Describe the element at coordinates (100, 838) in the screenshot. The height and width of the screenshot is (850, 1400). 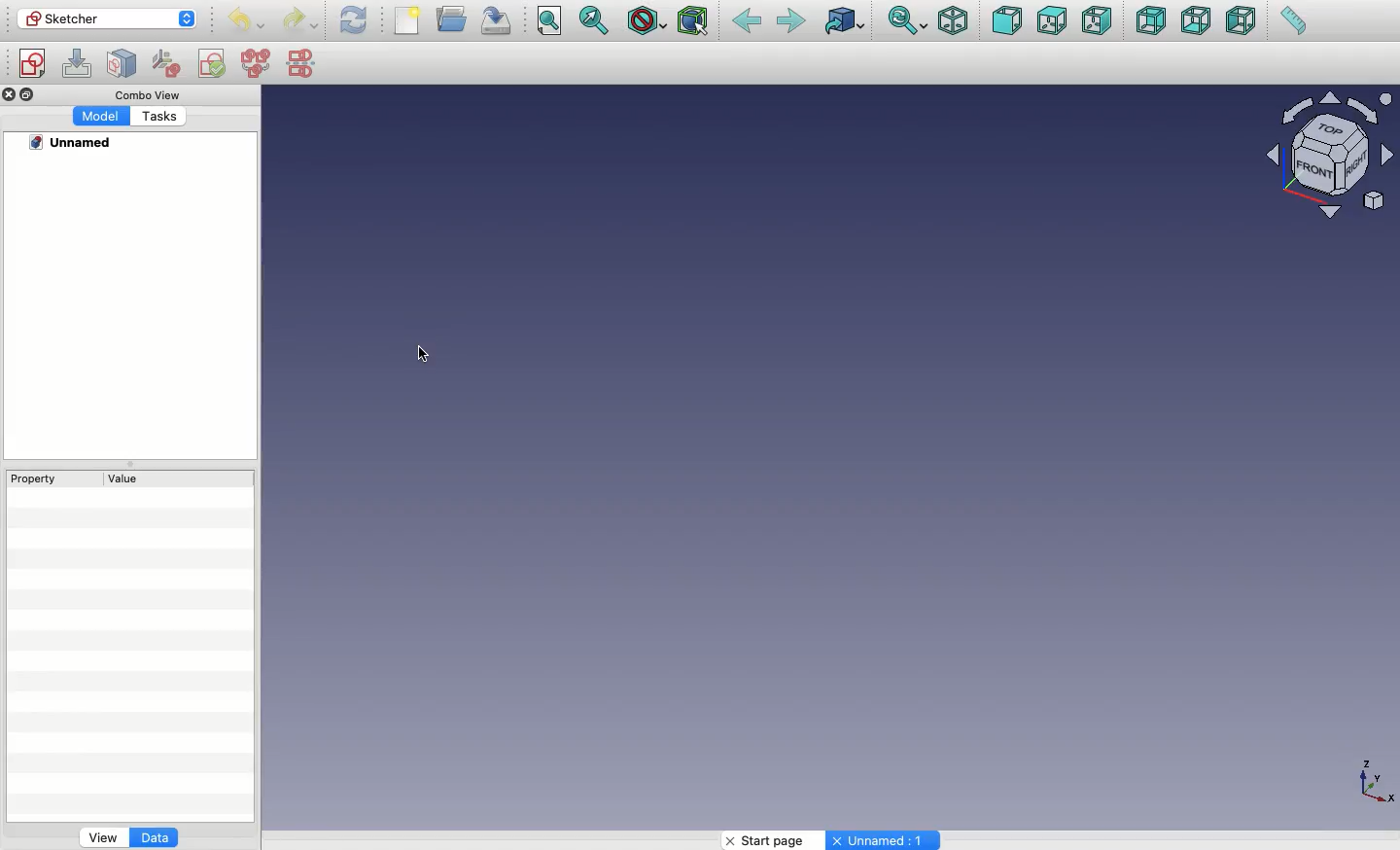
I see `View` at that location.